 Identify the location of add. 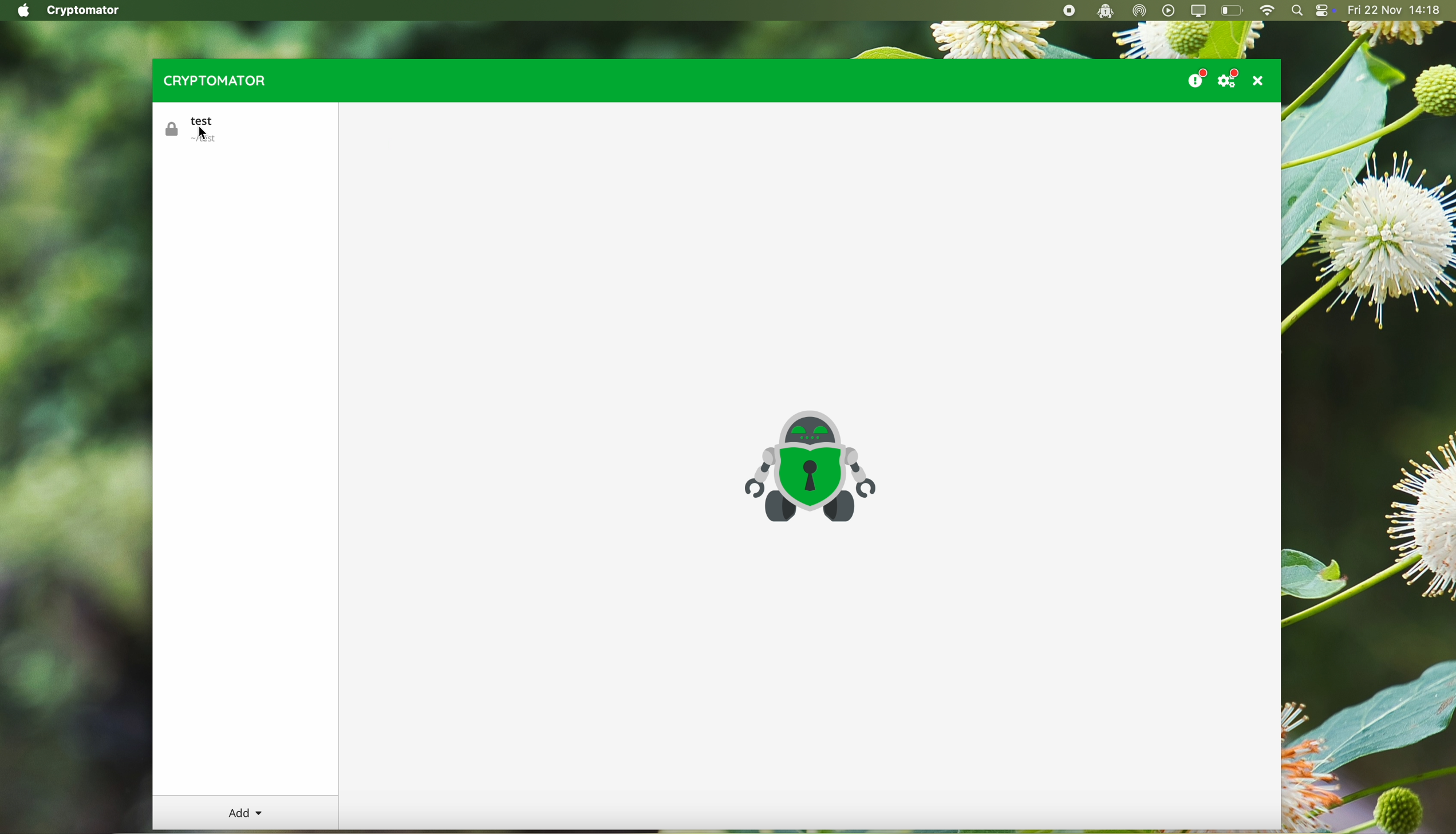
(246, 813).